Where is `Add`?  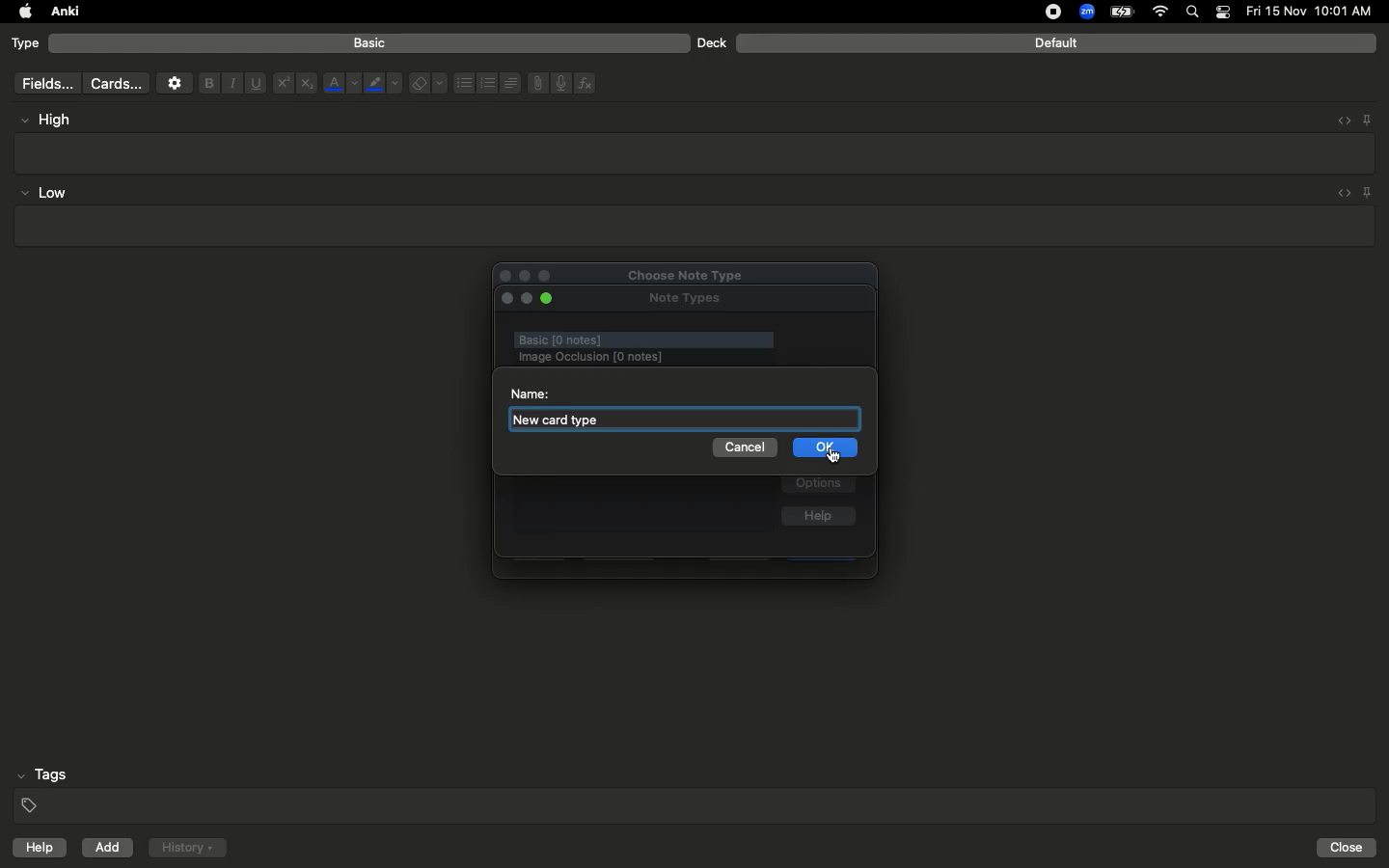
Add is located at coordinates (109, 848).